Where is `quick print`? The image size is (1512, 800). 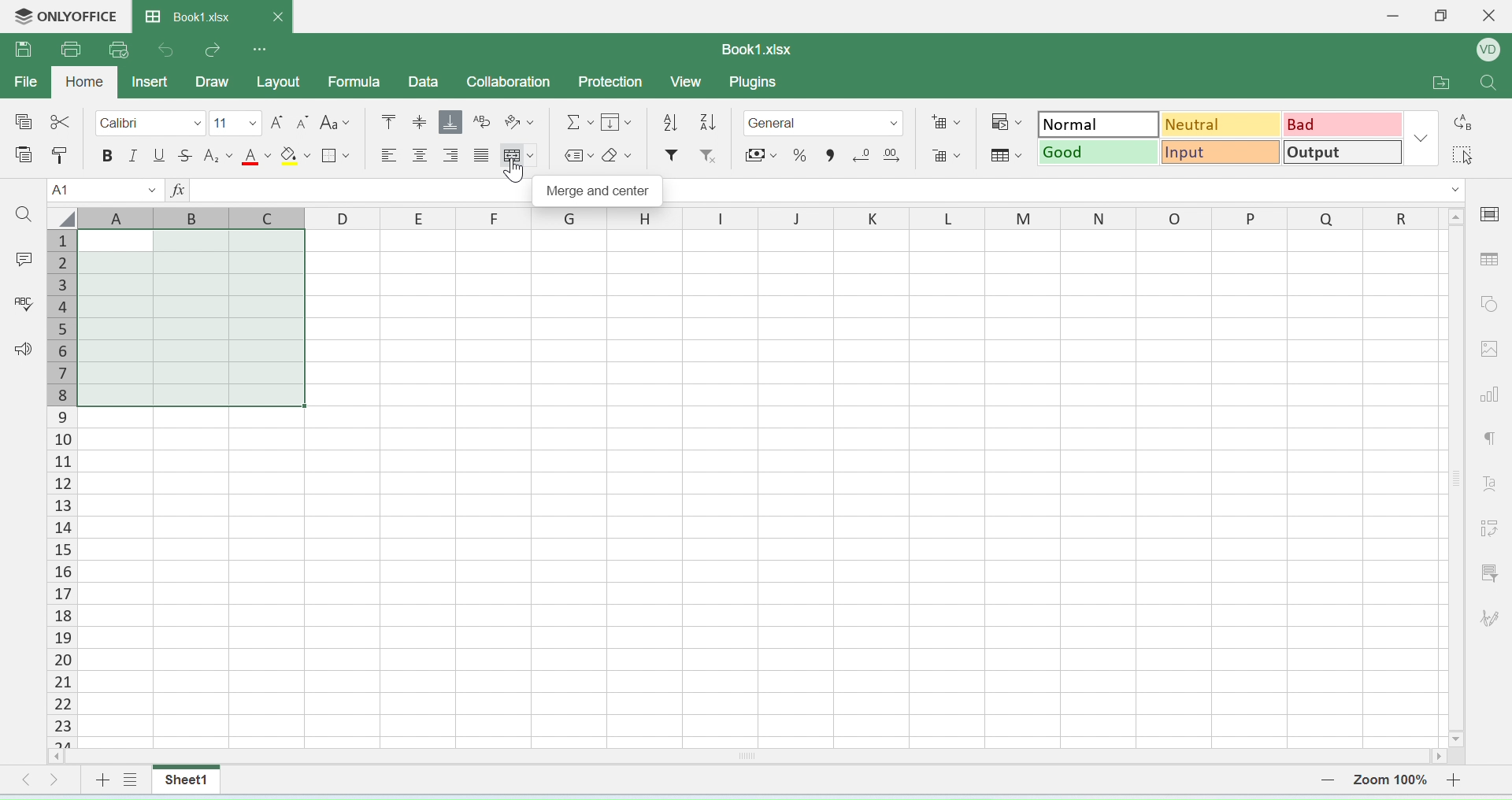 quick print is located at coordinates (123, 49).